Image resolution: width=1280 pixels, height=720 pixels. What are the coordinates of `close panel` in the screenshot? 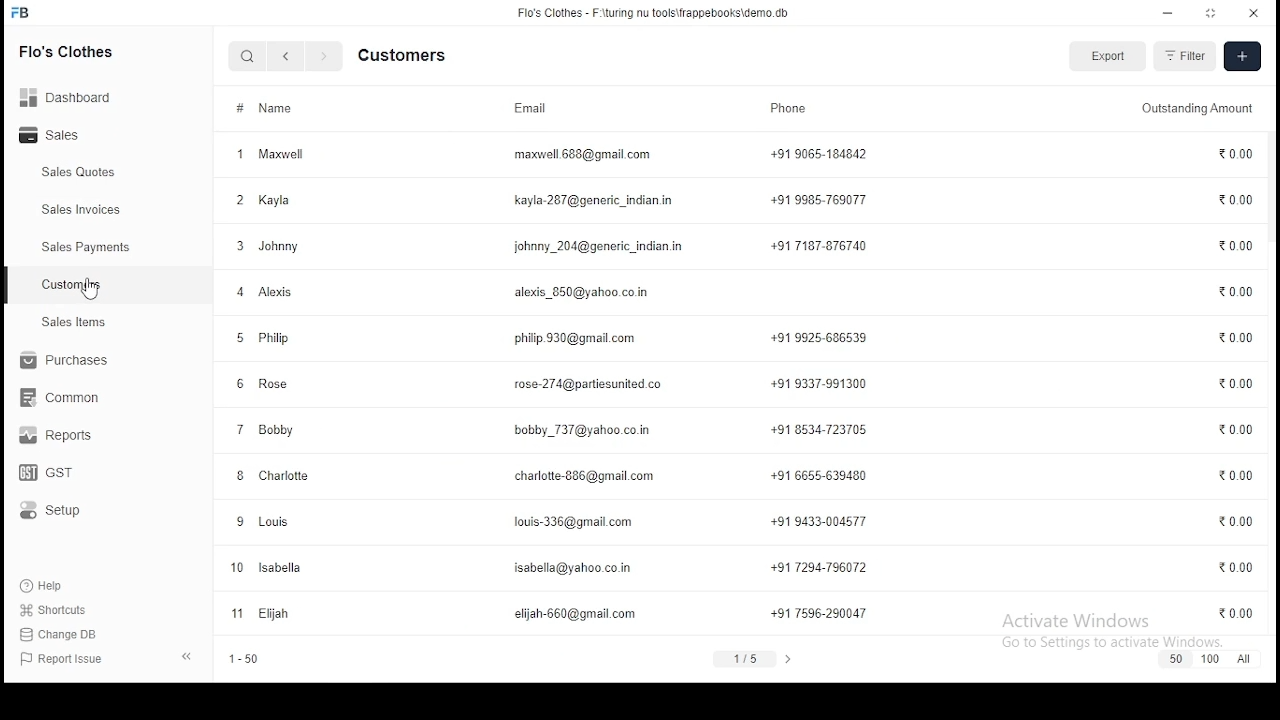 It's located at (185, 657).